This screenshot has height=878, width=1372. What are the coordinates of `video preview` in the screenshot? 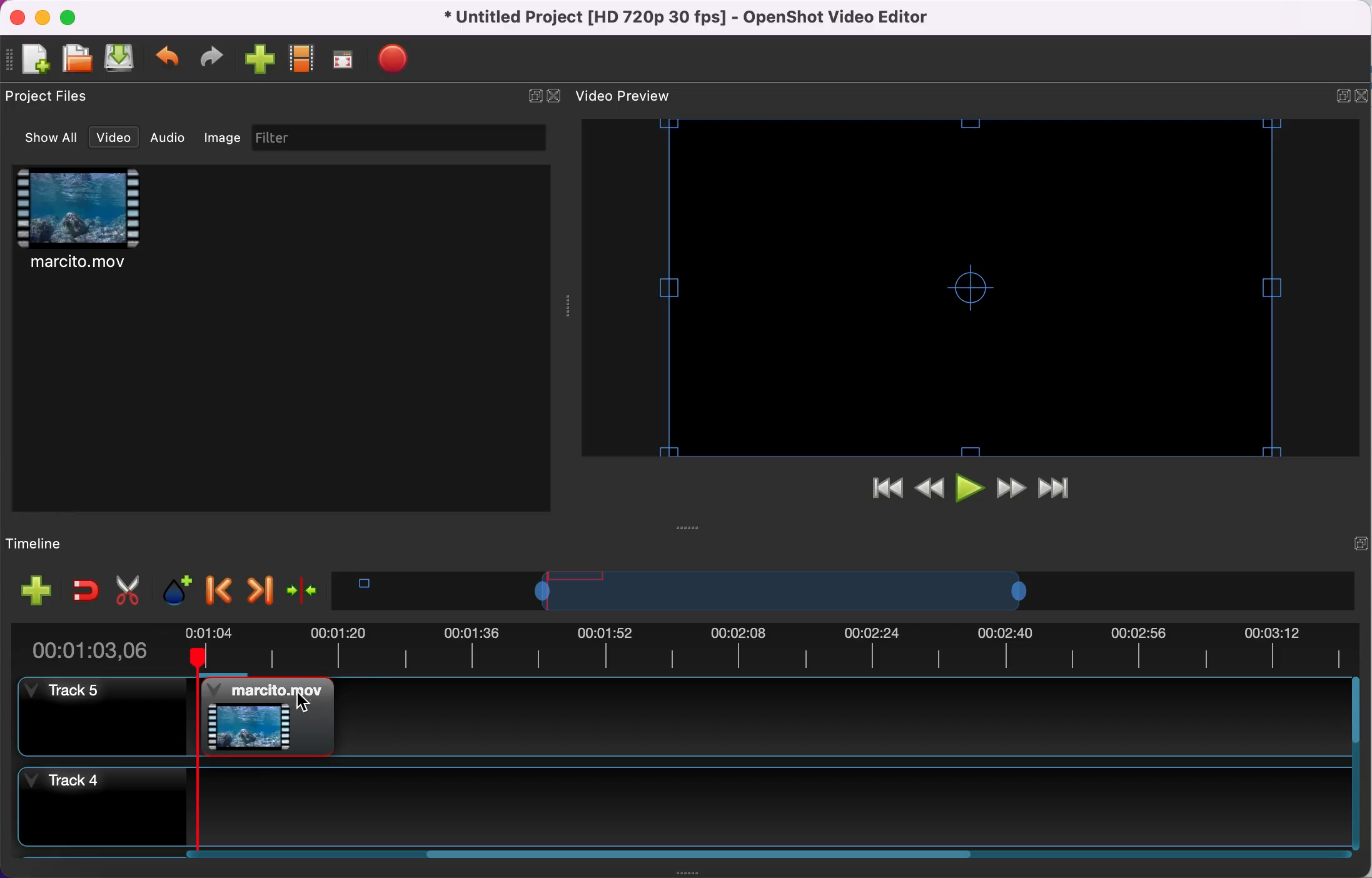 It's located at (645, 98).